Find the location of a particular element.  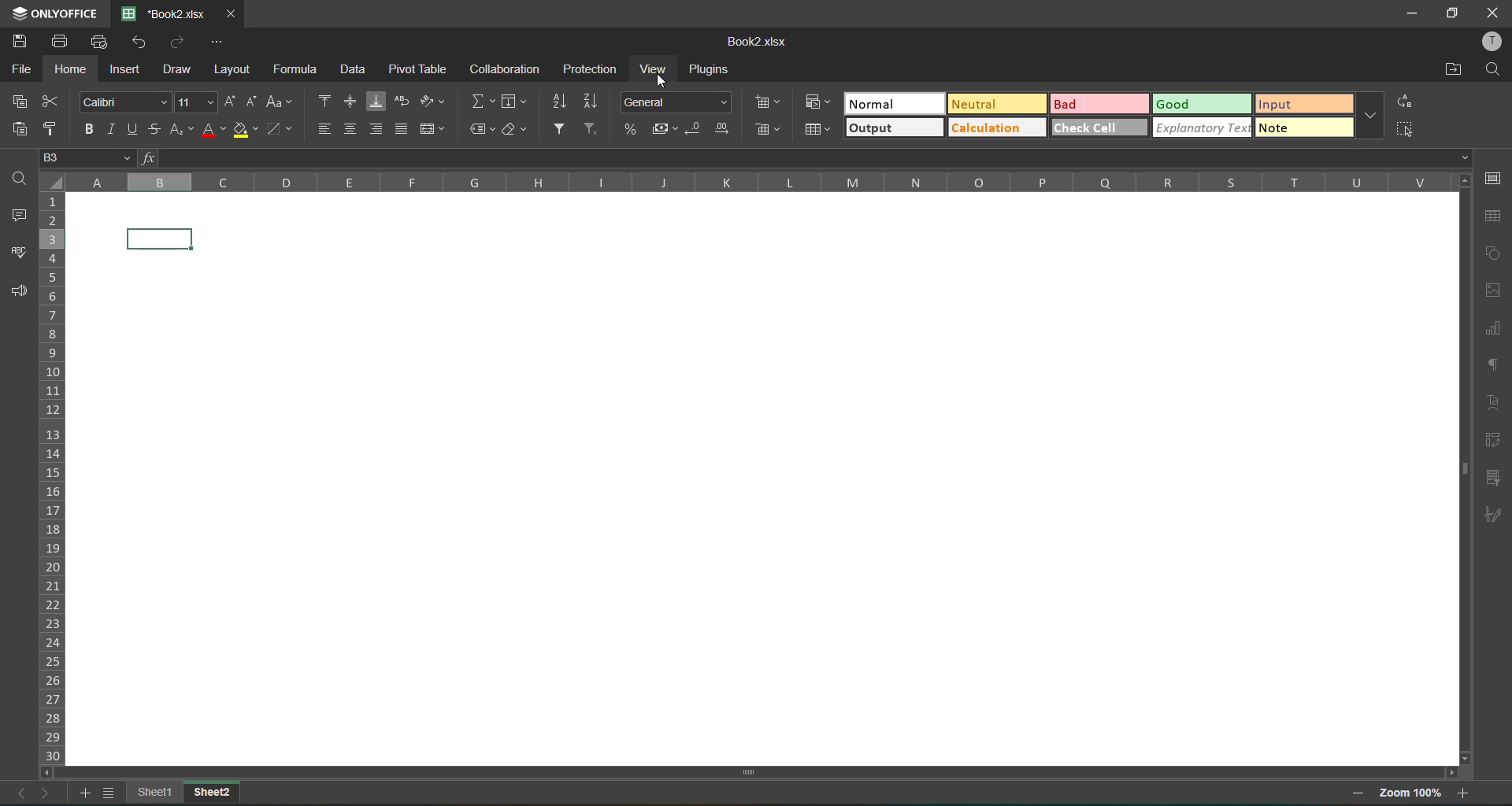

signature is located at coordinates (1494, 516).